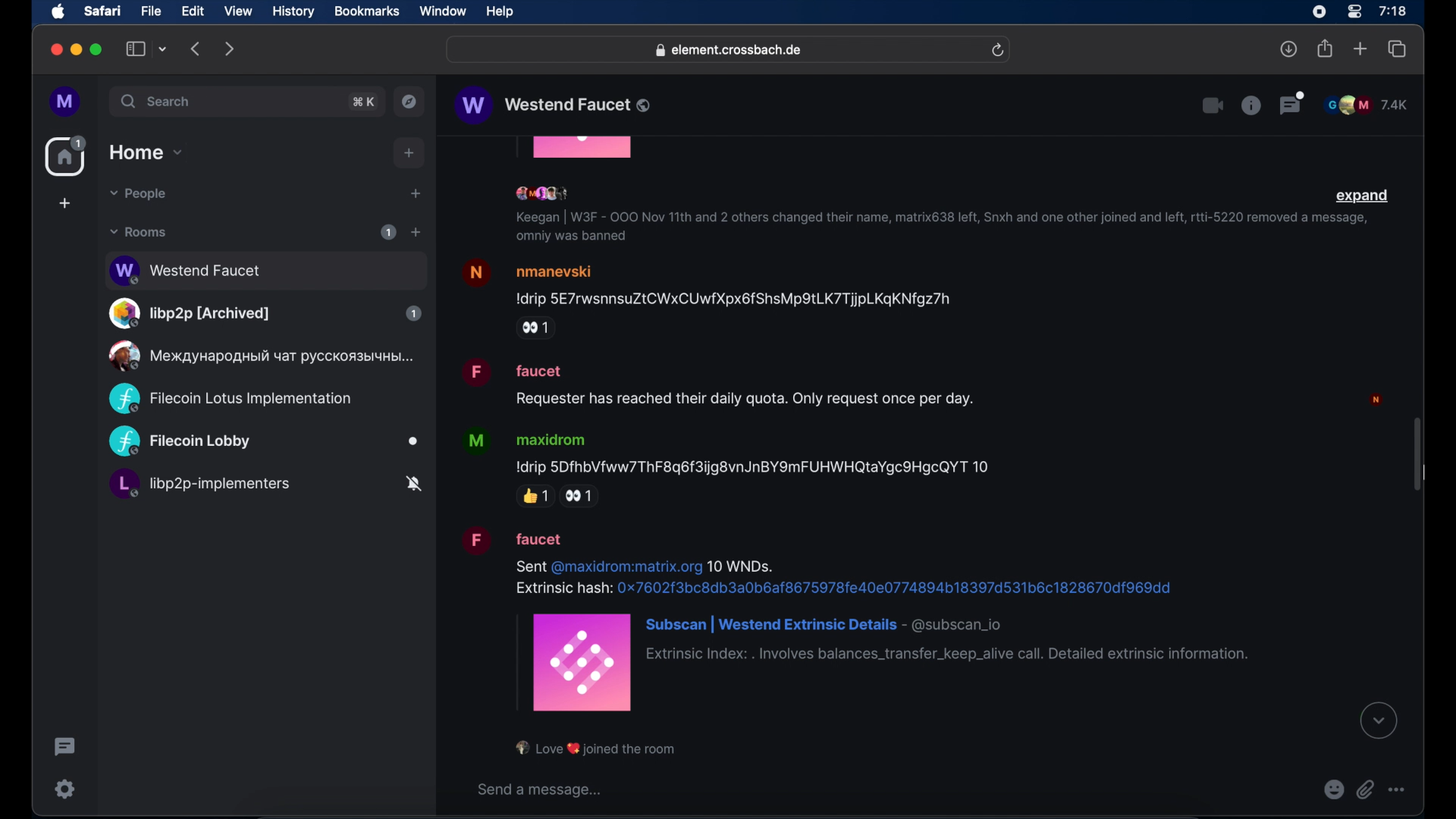 The width and height of the screenshot is (1456, 819). What do you see at coordinates (67, 156) in the screenshot?
I see `home` at bounding box center [67, 156].